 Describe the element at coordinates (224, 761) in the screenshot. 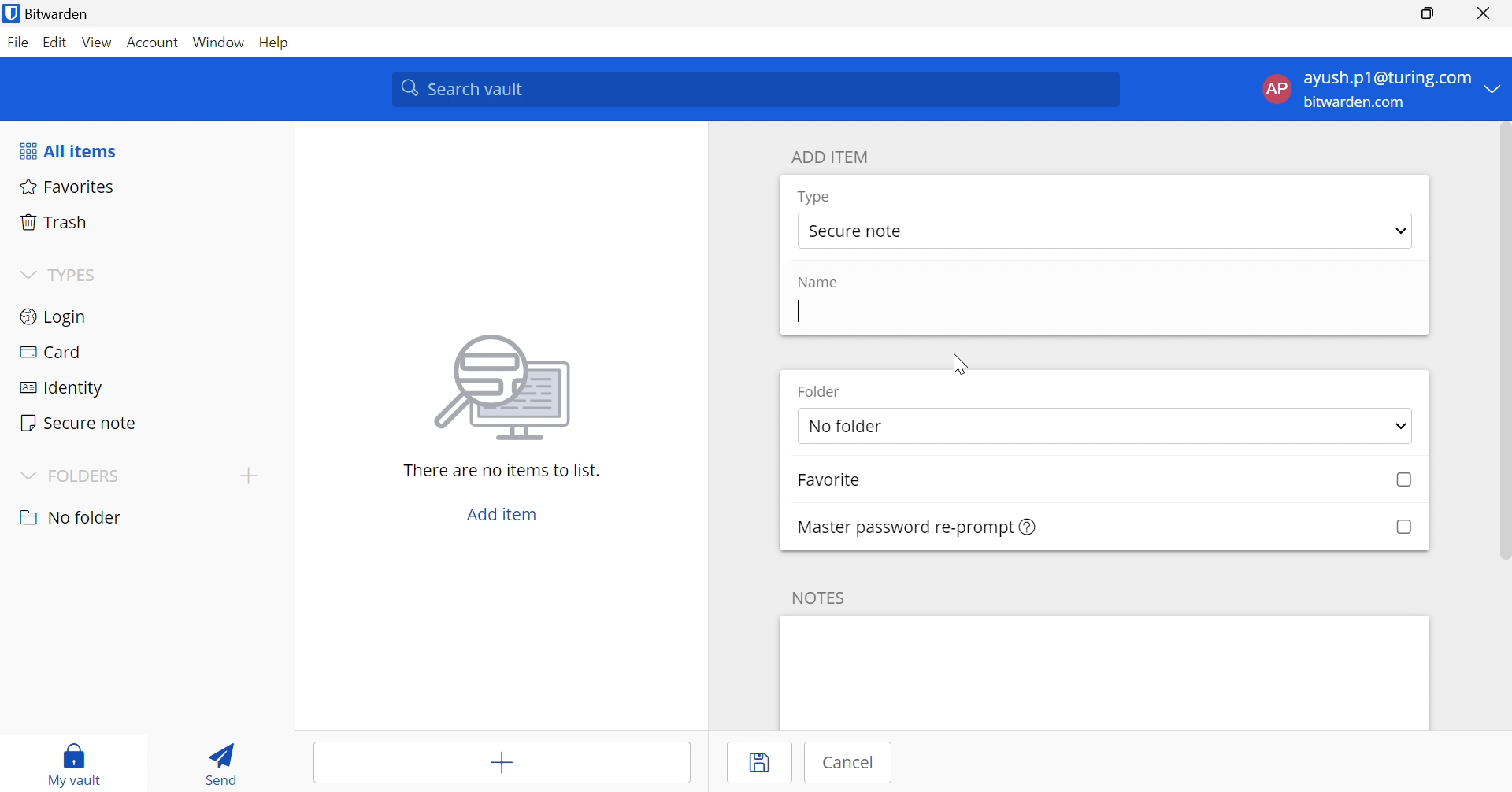

I see `Send` at that location.